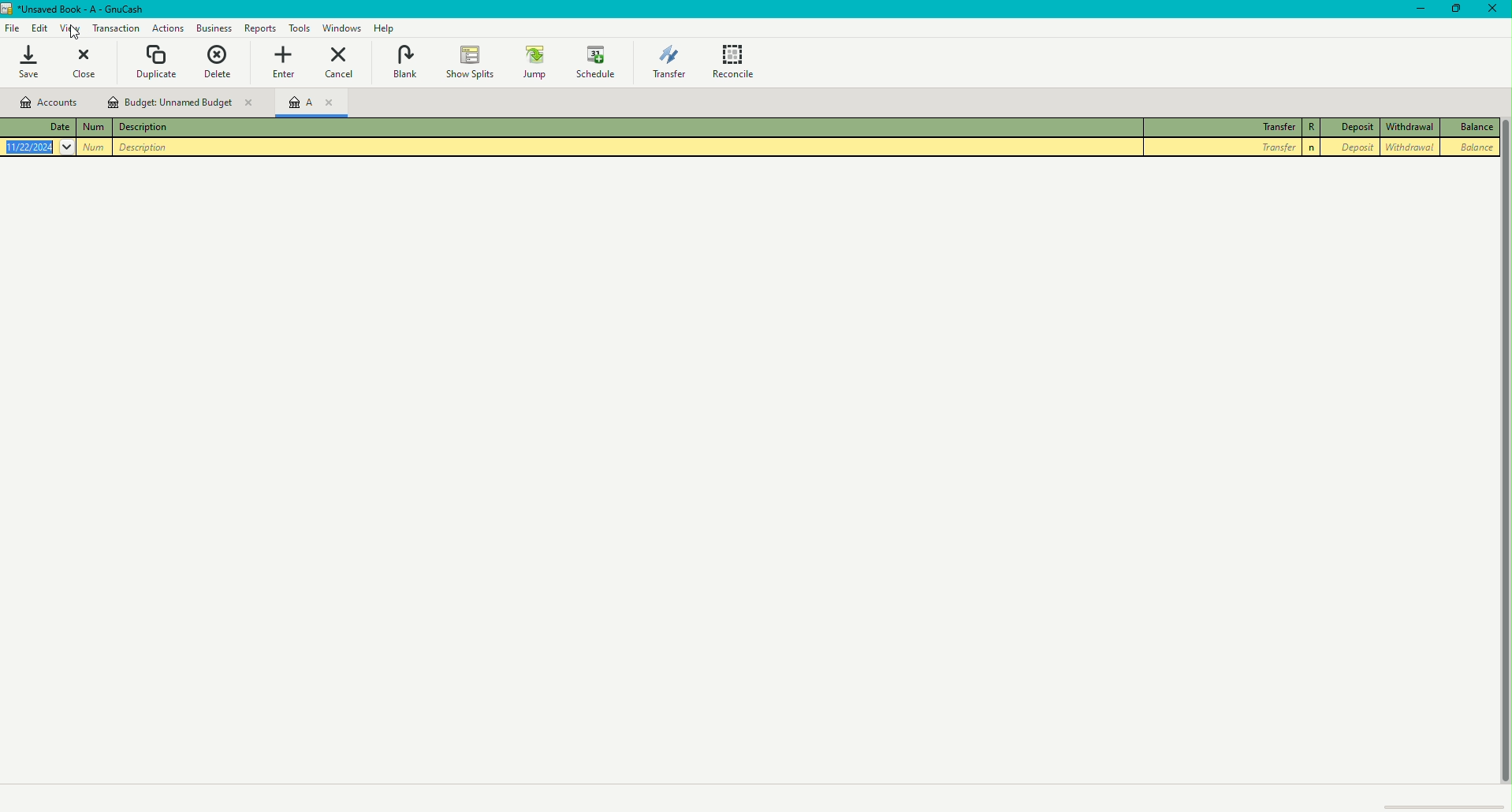  What do you see at coordinates (668, 60) in the screenshot?
I see `Transfer` at bounding box center [668, 60].